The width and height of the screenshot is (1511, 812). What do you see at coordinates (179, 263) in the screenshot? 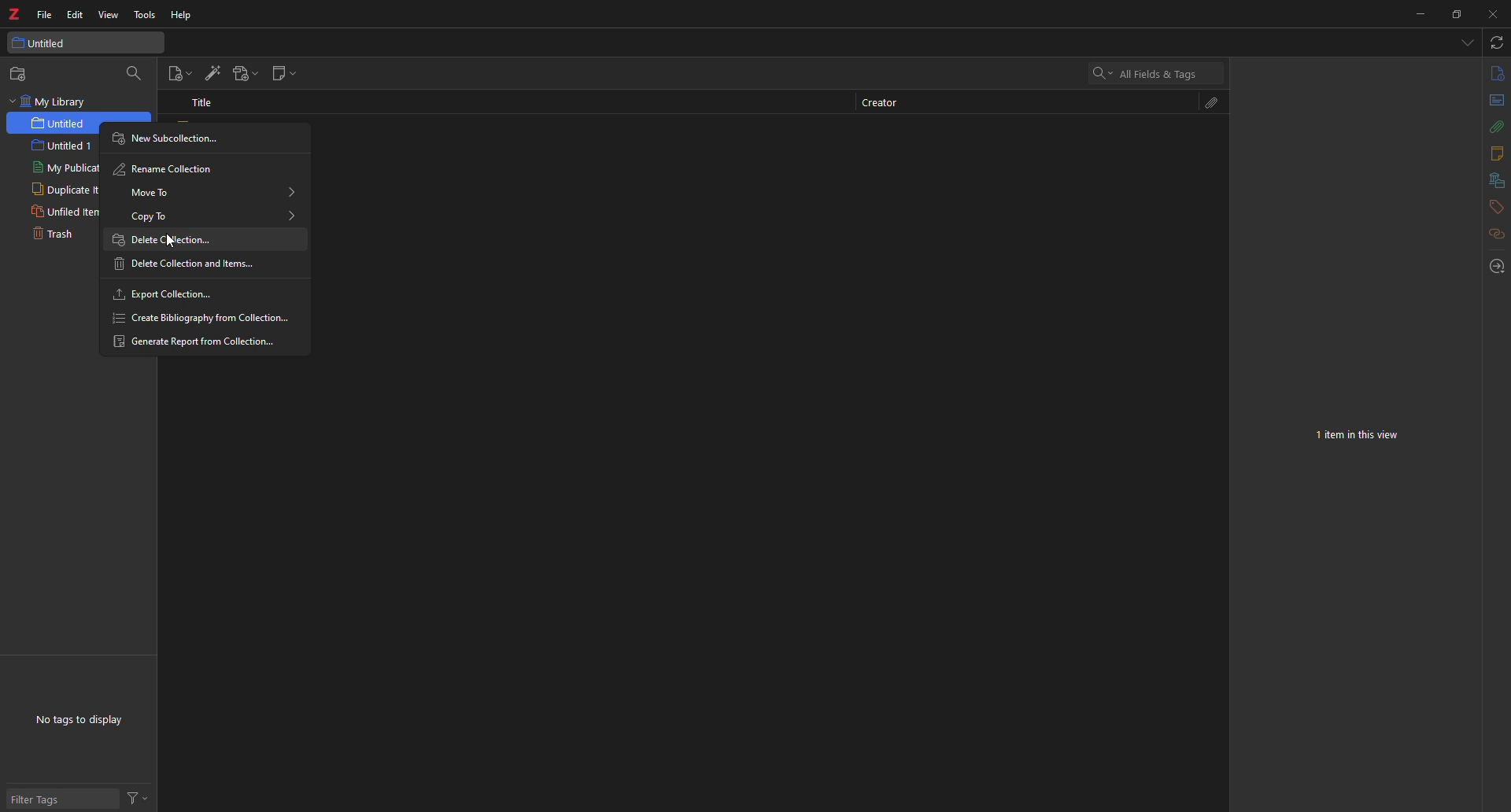
I see `delete collection and items` at bounding box center [179, 263].